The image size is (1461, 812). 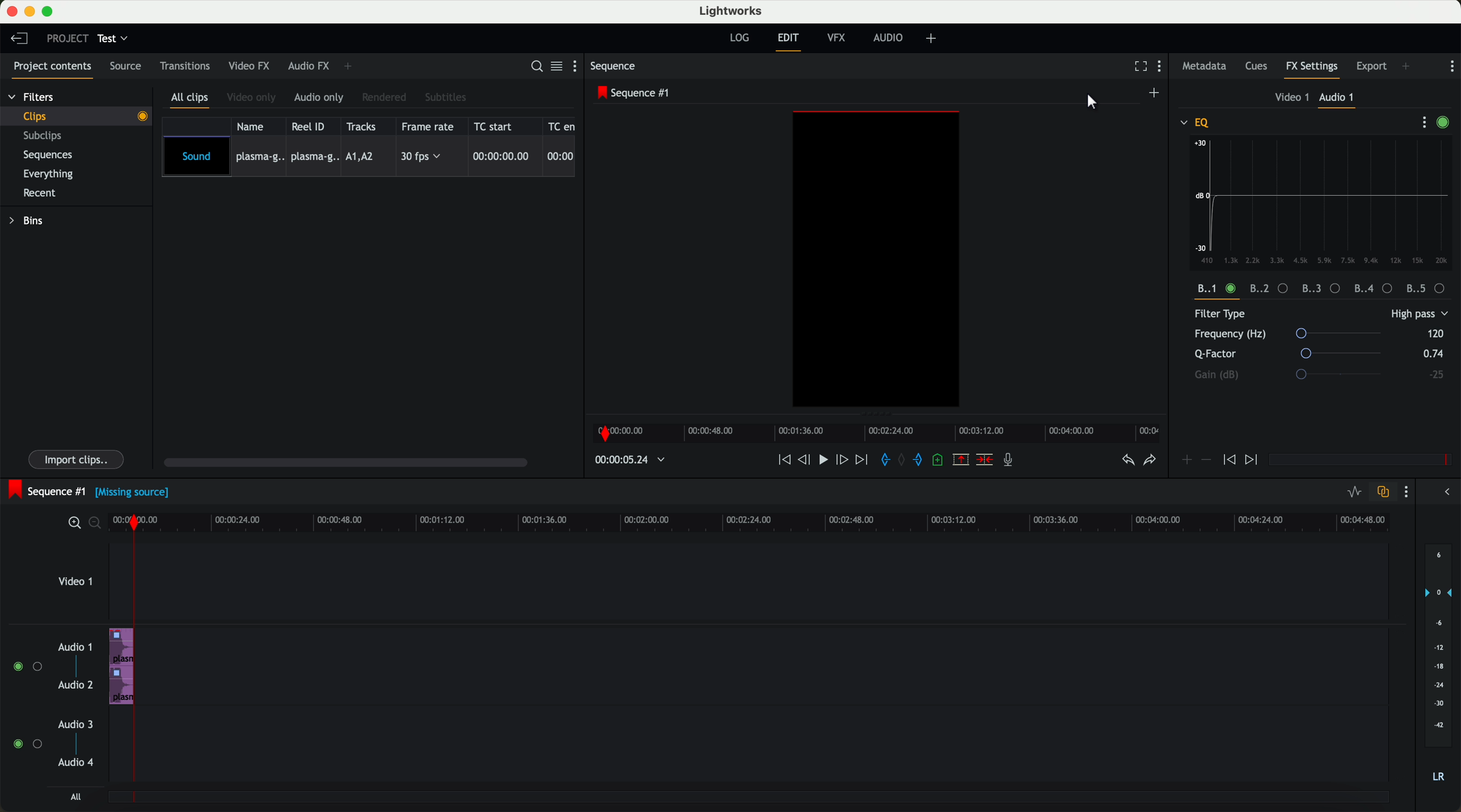 I want to click on data, so click(x=1324, y=289).